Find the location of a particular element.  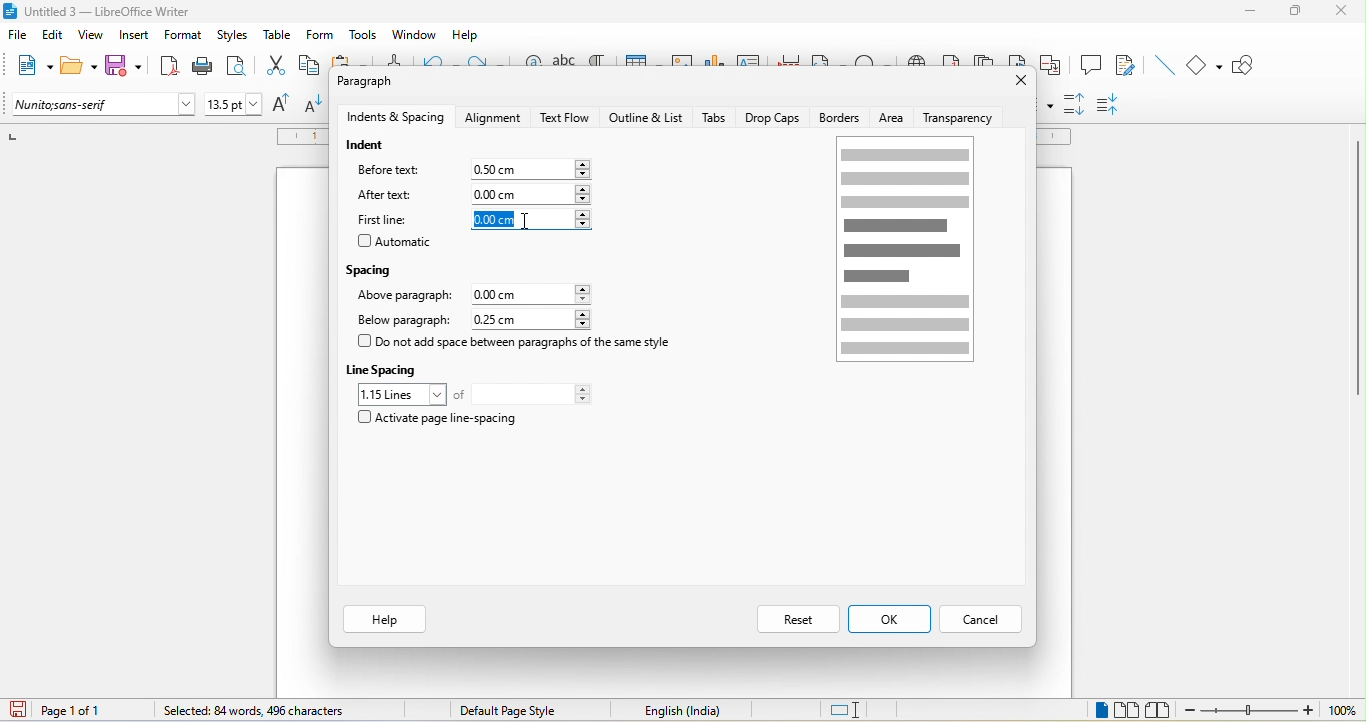

paragraph is located at coordinates (374, 85).